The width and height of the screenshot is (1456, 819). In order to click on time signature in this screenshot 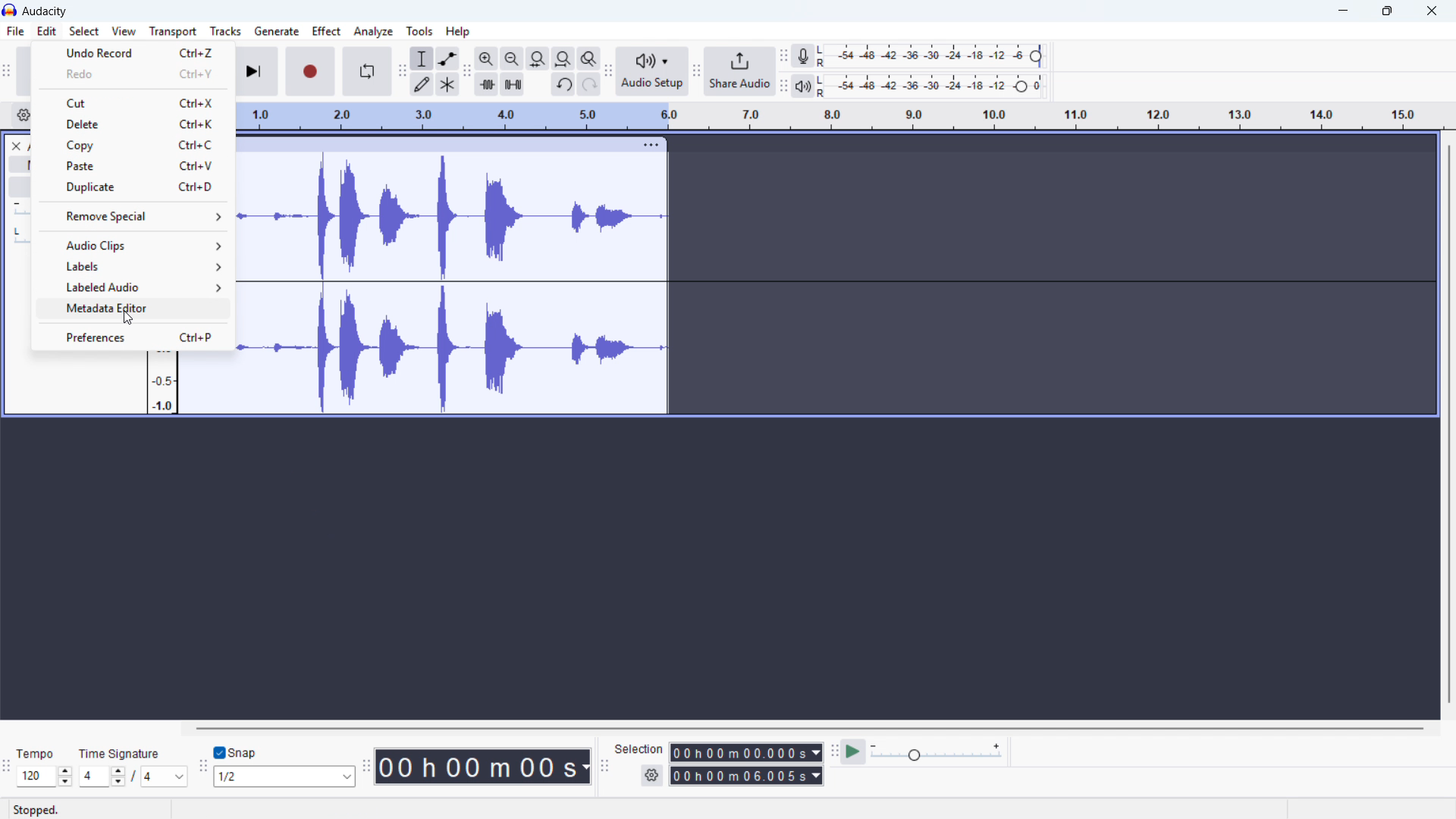, I will do `click(118, 753)`.